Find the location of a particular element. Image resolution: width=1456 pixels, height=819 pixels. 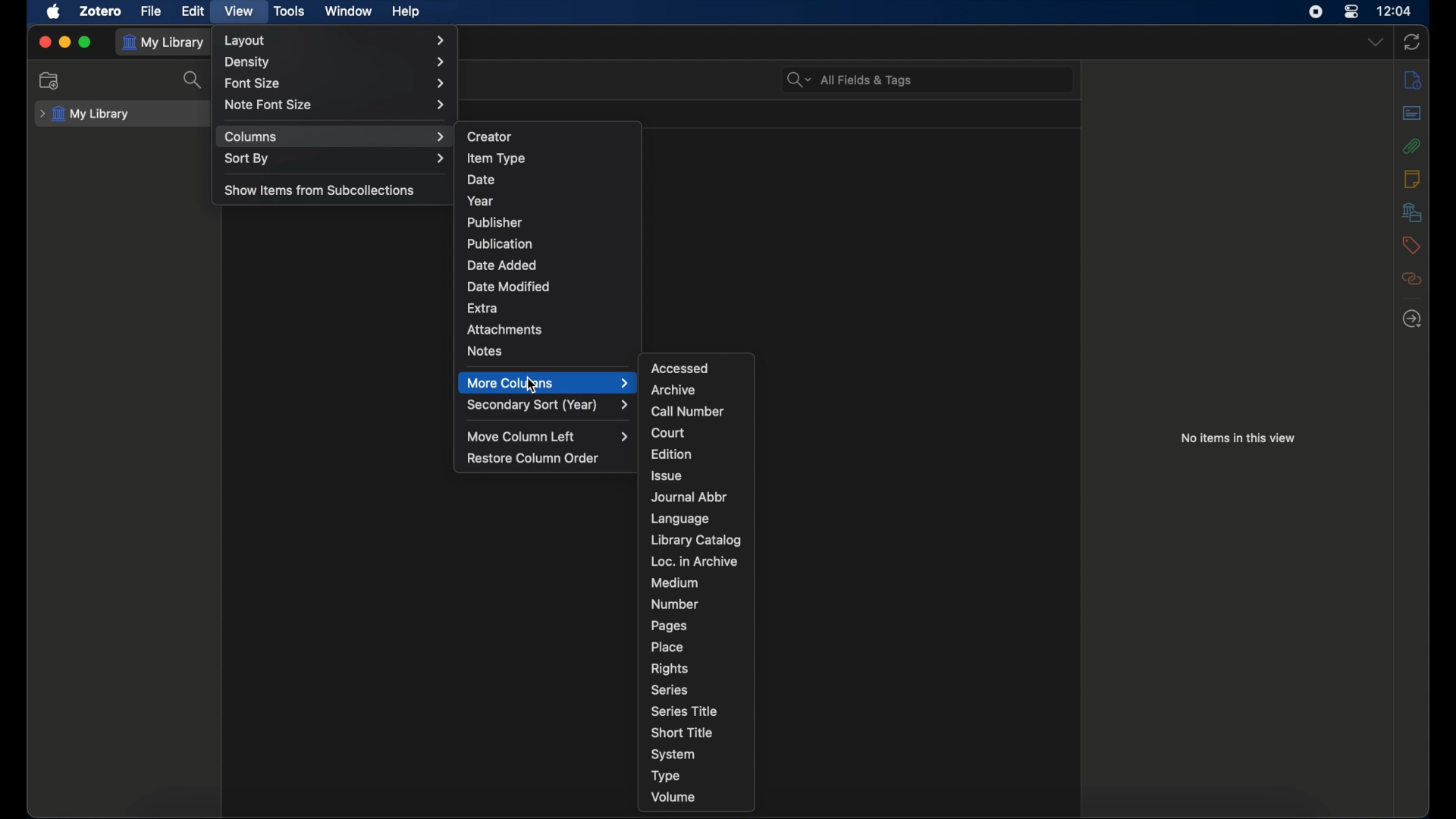

search bar is located at coordinates (849, 79).